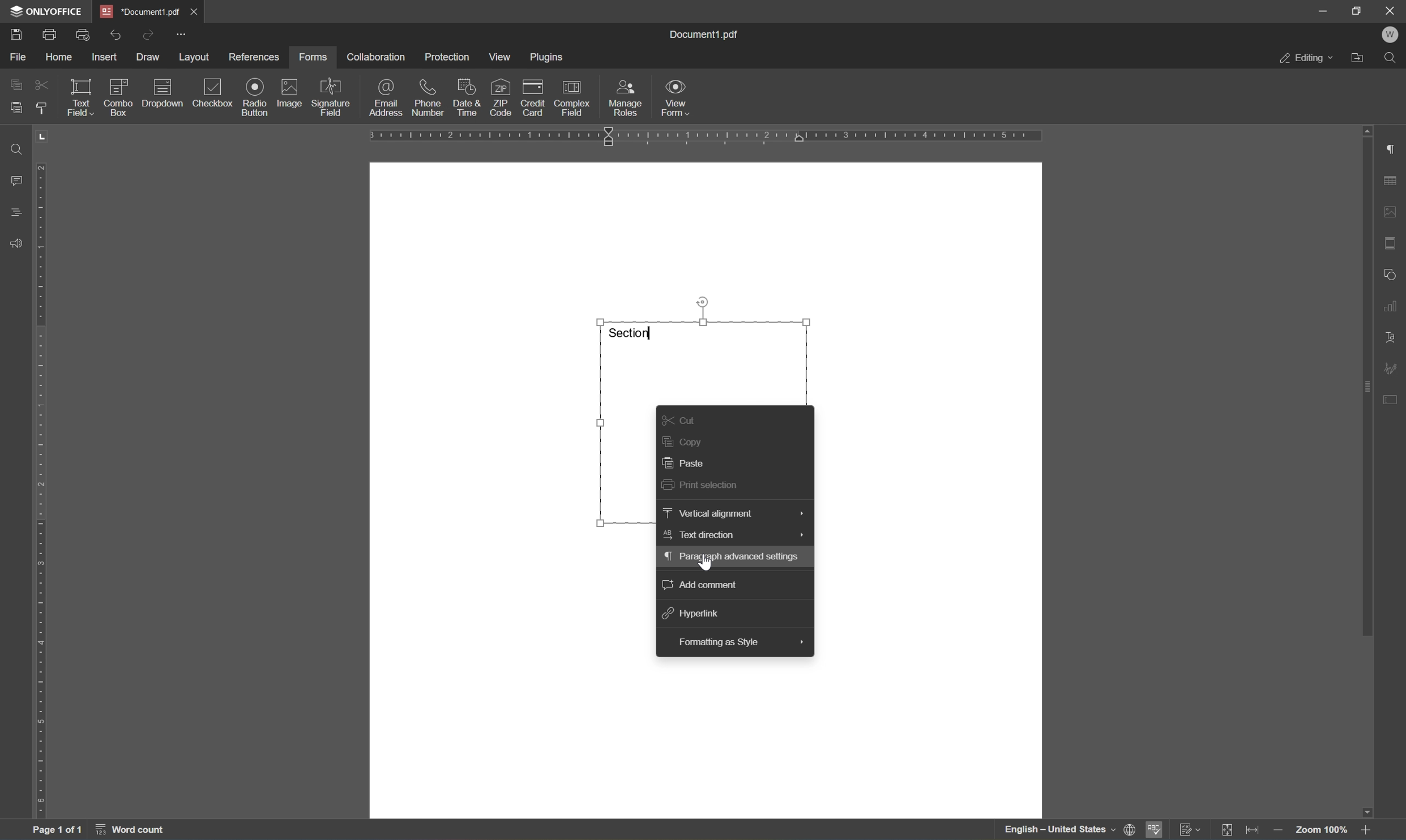 The height and width of the screenshot is (840, 1406). What do you see at coordinates (1257, 830) in the screenshot?
I see `fit to width` at bounding box center [1257, 830].